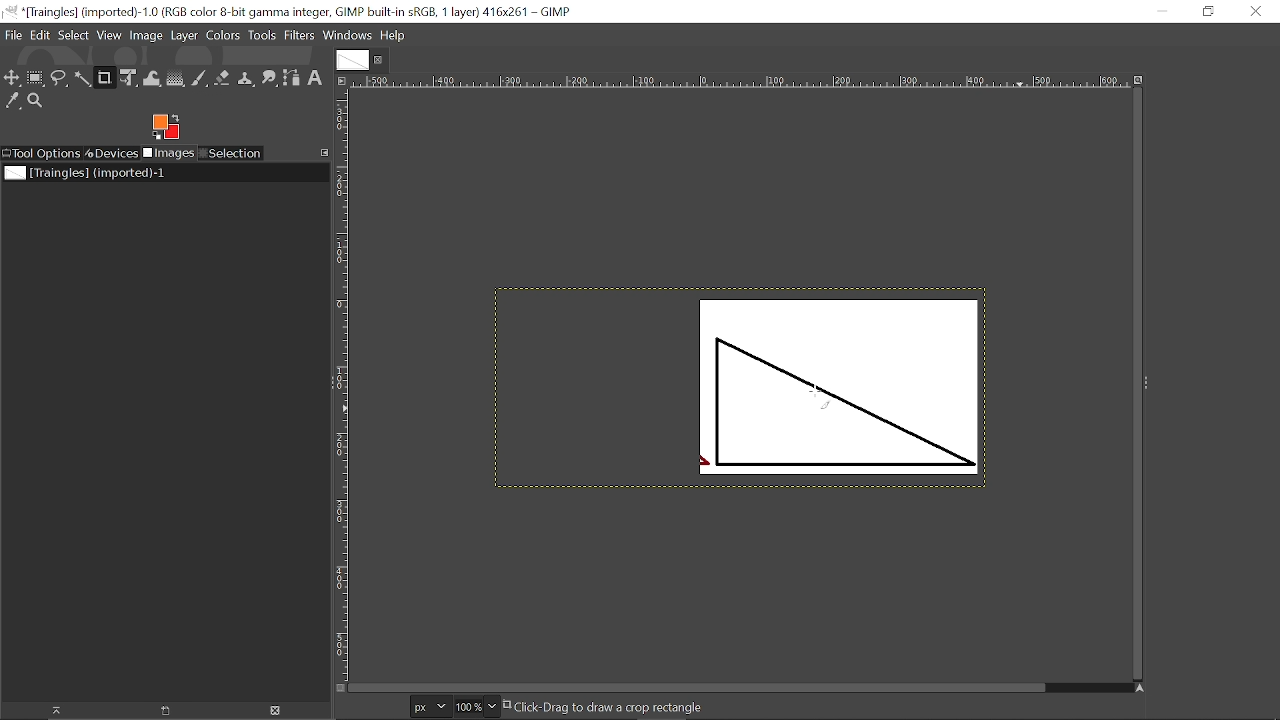 This screenshot has width=1280, height=720. What do you see at coordinates (1256, 14) in the screenshot?
I see `Close` at bounding box center [1256, 14].